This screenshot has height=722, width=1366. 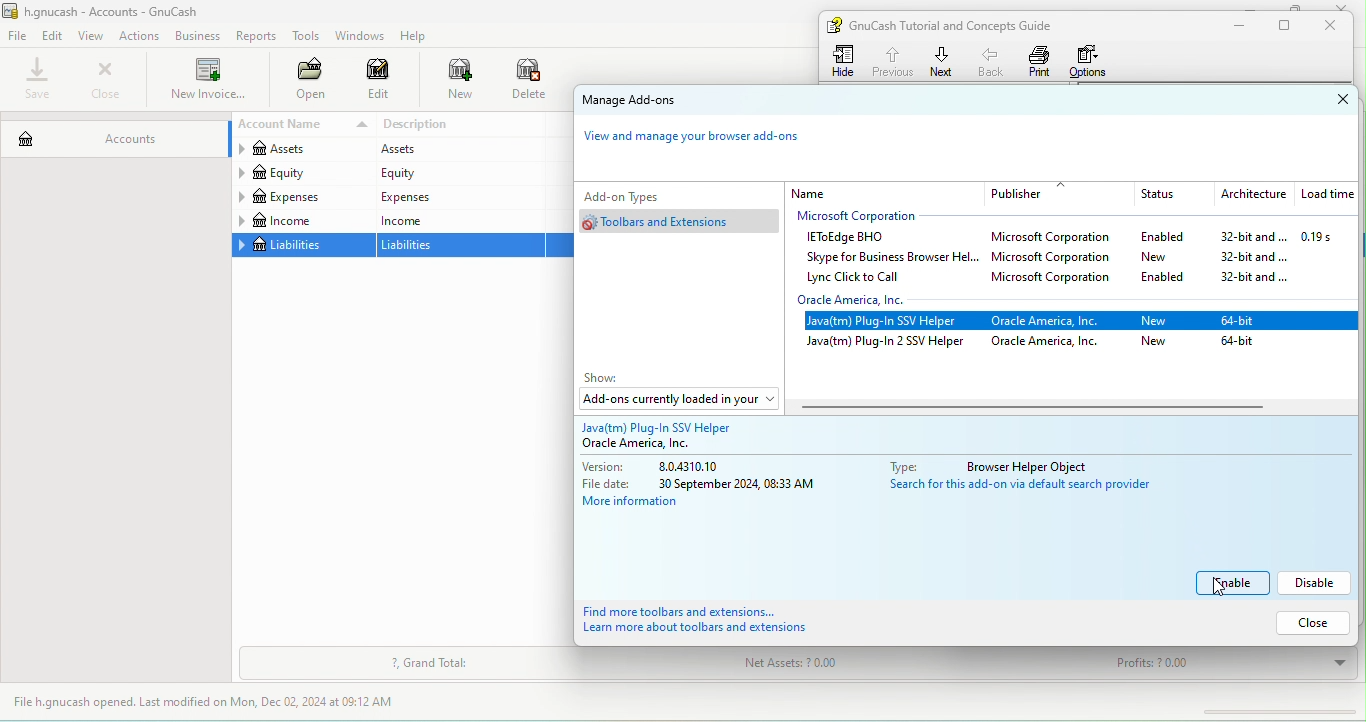 I want to click on edit, so click(x=379, y=82).